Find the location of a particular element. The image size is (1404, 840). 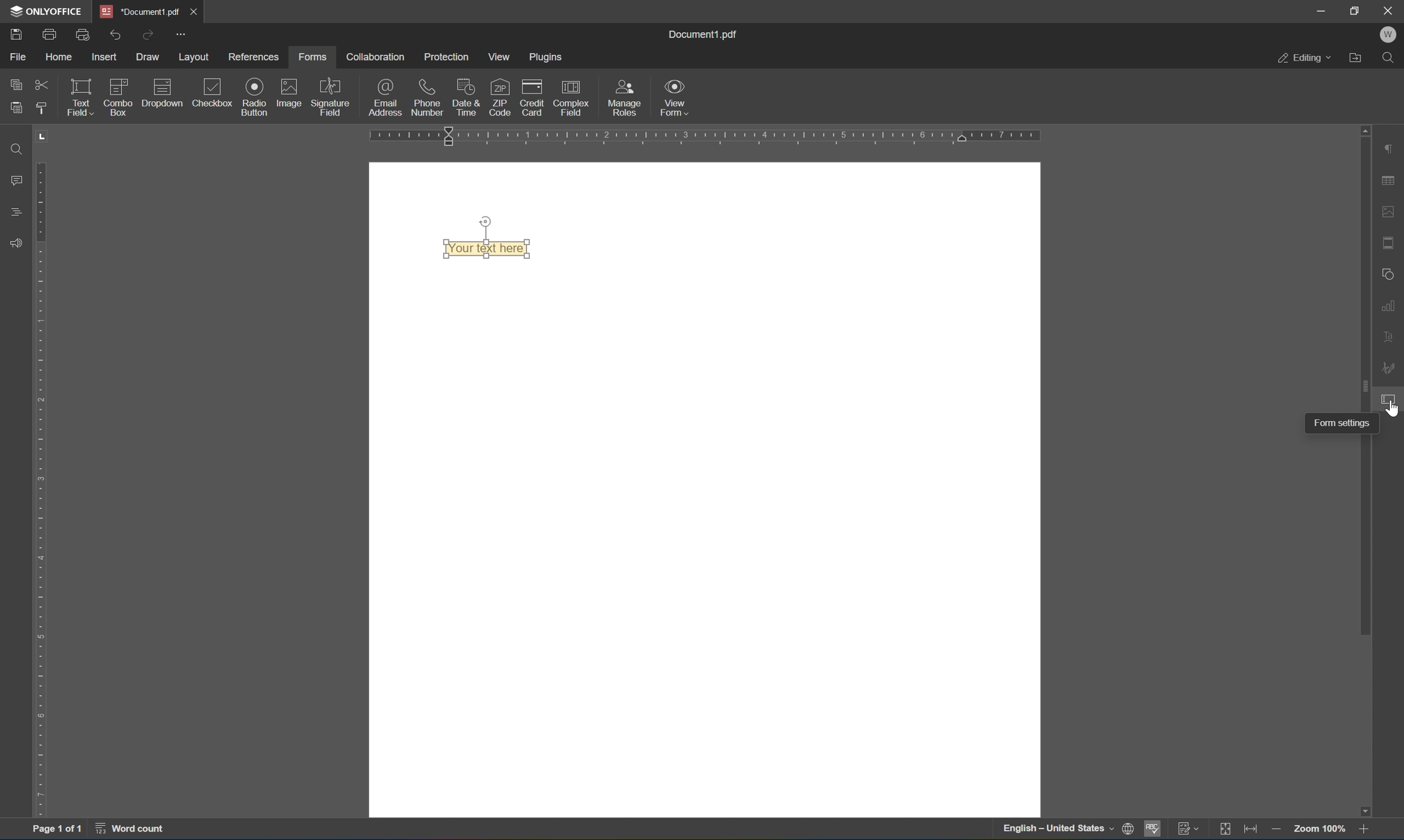

zip code is located at coordinates (499, 98).